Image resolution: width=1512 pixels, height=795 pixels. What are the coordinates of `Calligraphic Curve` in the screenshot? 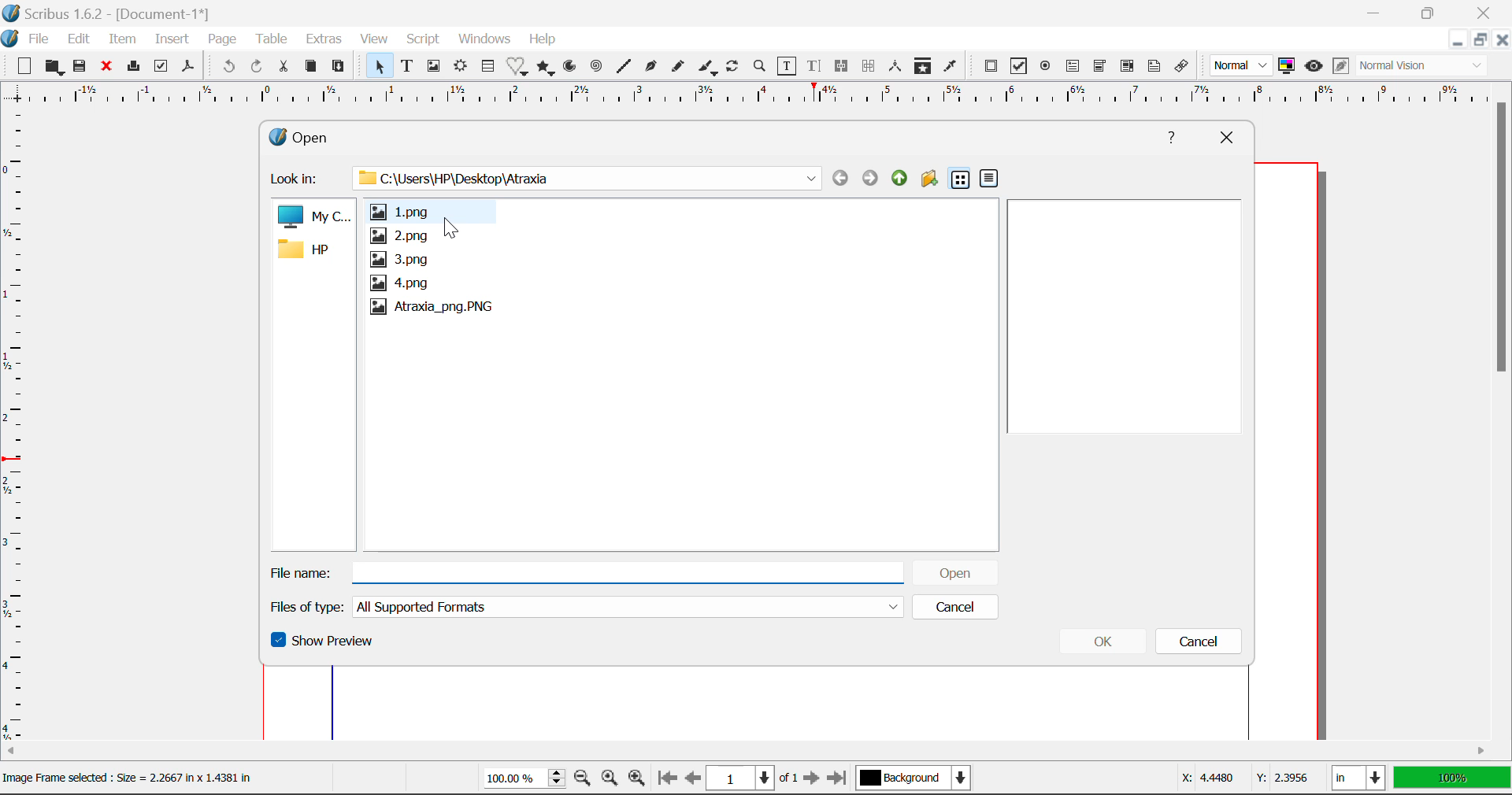 It's located at (708, 69).